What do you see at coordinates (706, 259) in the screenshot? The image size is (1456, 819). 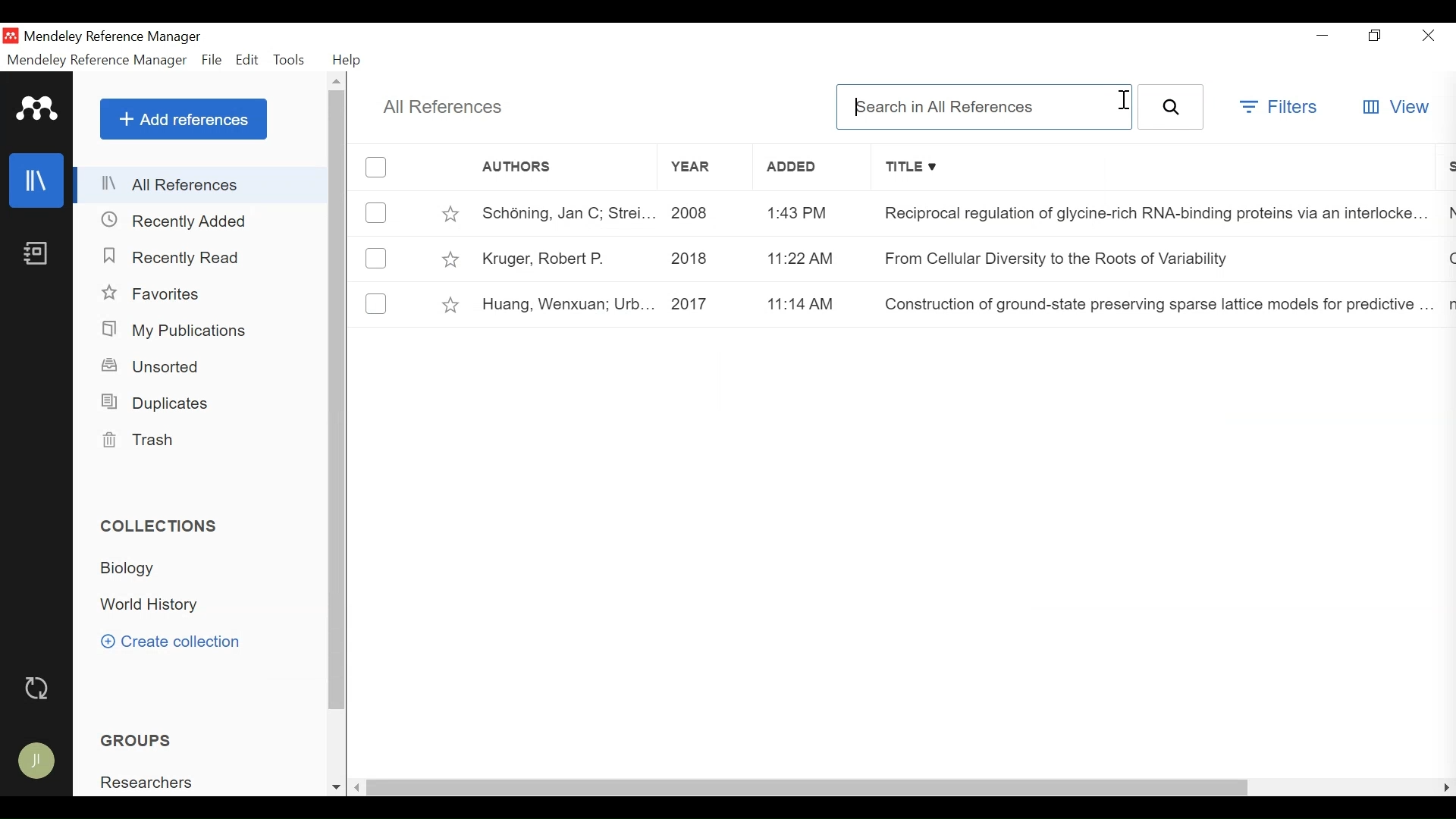 I see `2018` at bounding box center [706, 259].